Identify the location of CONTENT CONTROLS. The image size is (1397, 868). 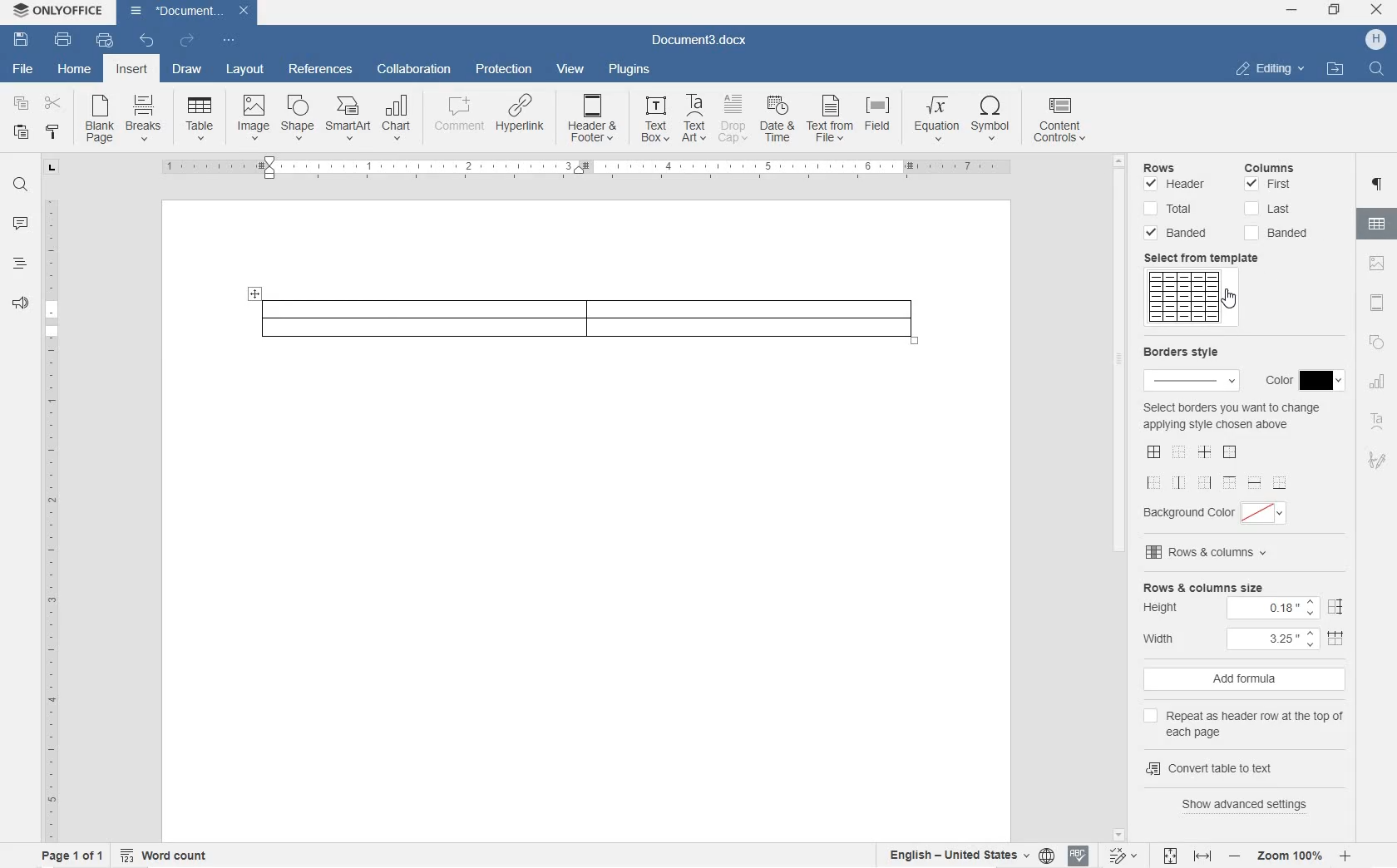
(1061, 122).